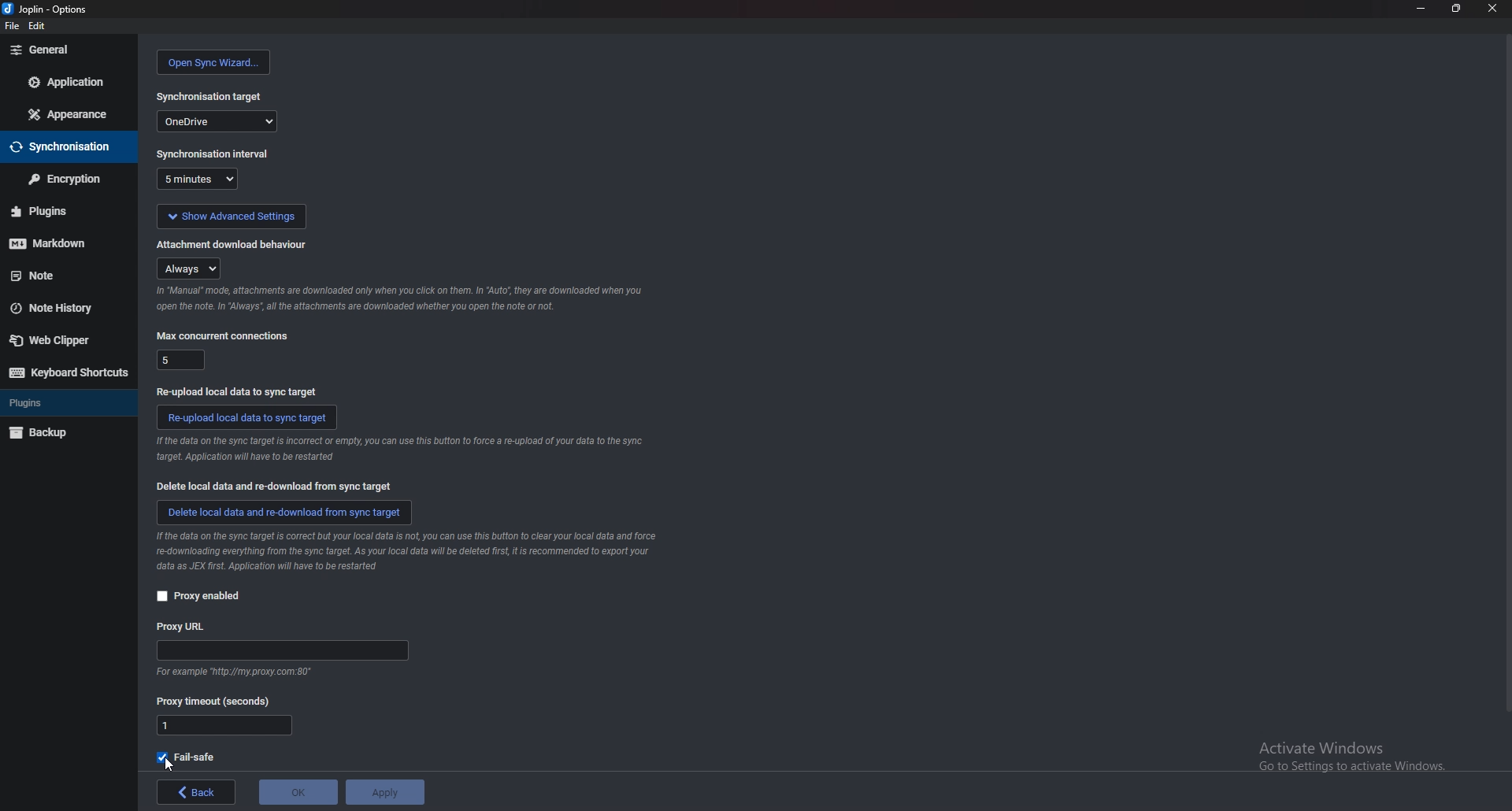  What do you see at coordinates (64, 431) in the screenshot?
I see `backup` at bounding box center [64, 431].